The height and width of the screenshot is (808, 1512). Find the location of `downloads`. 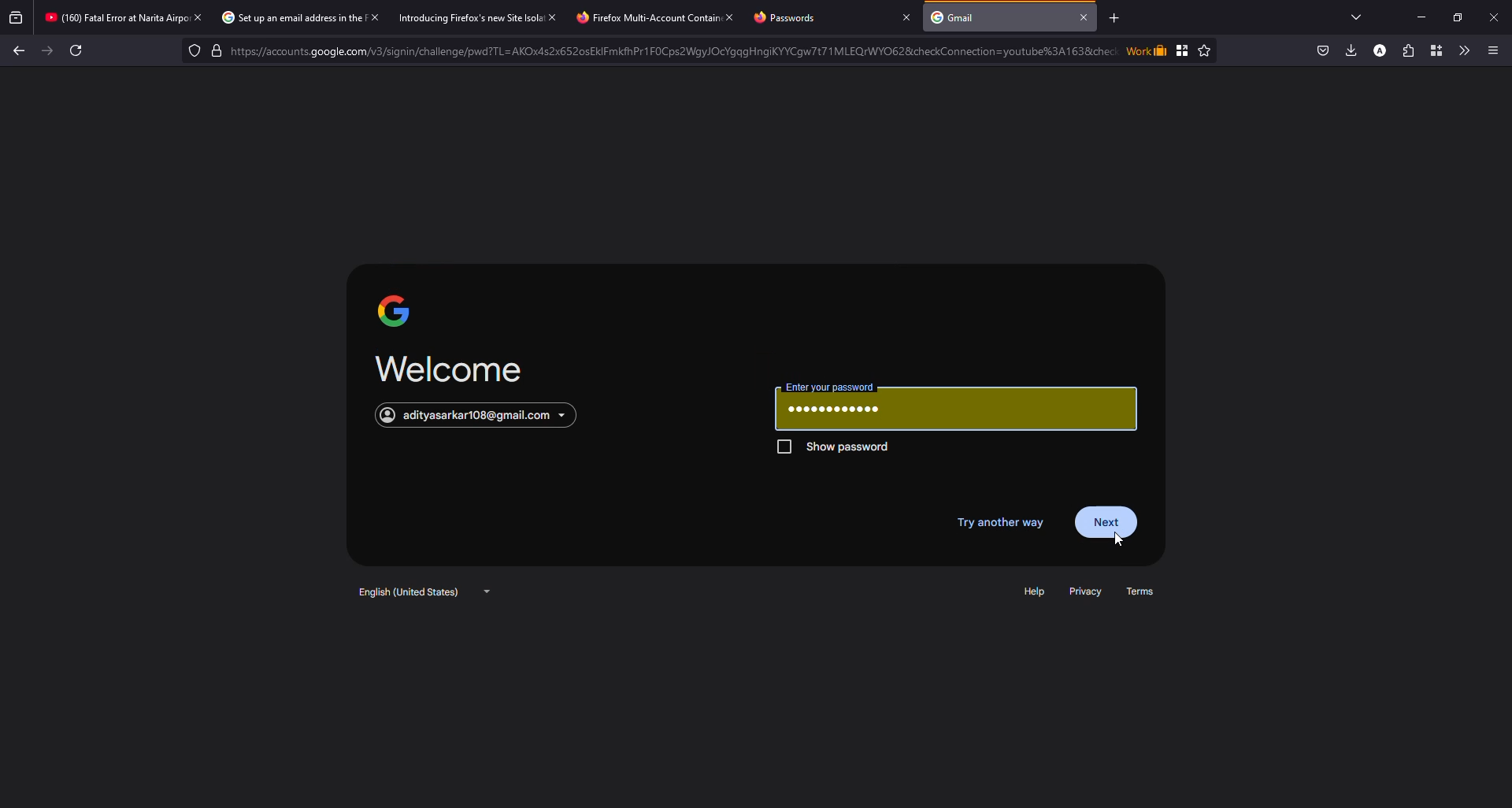

downloads is located at coordinates (1349, 50).